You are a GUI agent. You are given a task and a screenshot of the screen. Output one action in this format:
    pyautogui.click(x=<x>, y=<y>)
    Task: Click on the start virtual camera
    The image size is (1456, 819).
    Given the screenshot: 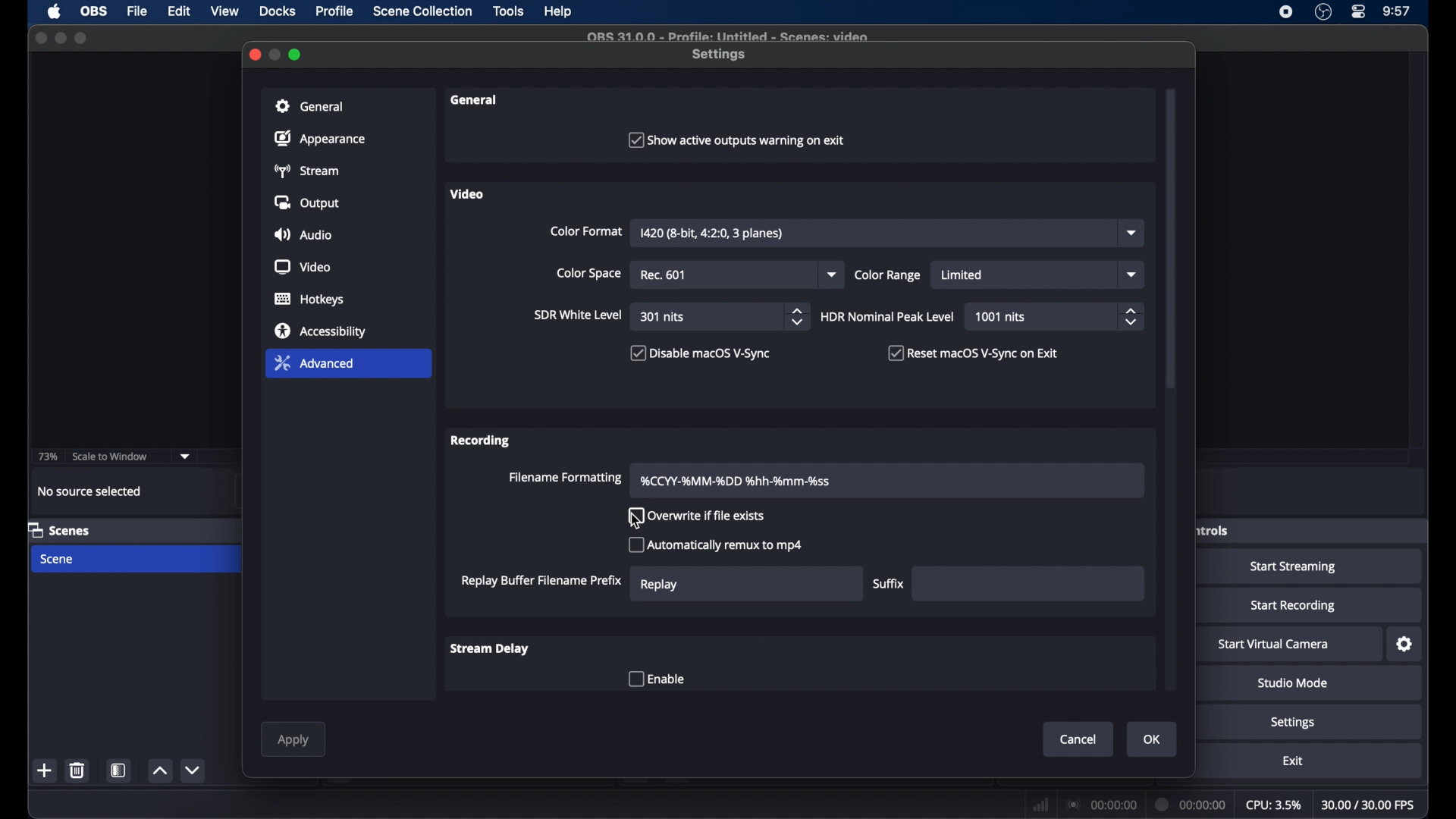 What is the action you would take?
    pyautogui.click(x=1274, y=645)
    